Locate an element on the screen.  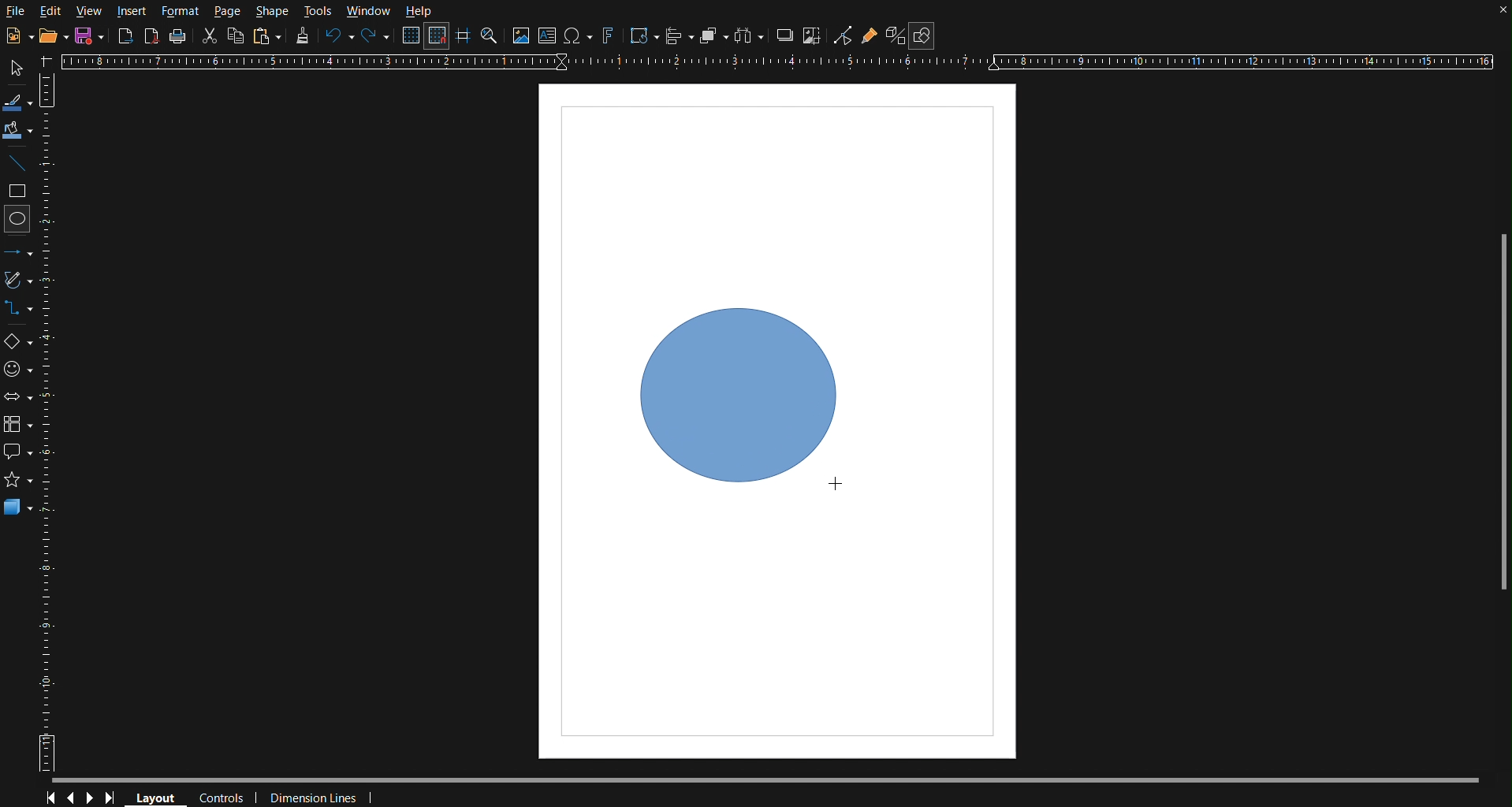
Transformation is located at coordinates (643, 36).